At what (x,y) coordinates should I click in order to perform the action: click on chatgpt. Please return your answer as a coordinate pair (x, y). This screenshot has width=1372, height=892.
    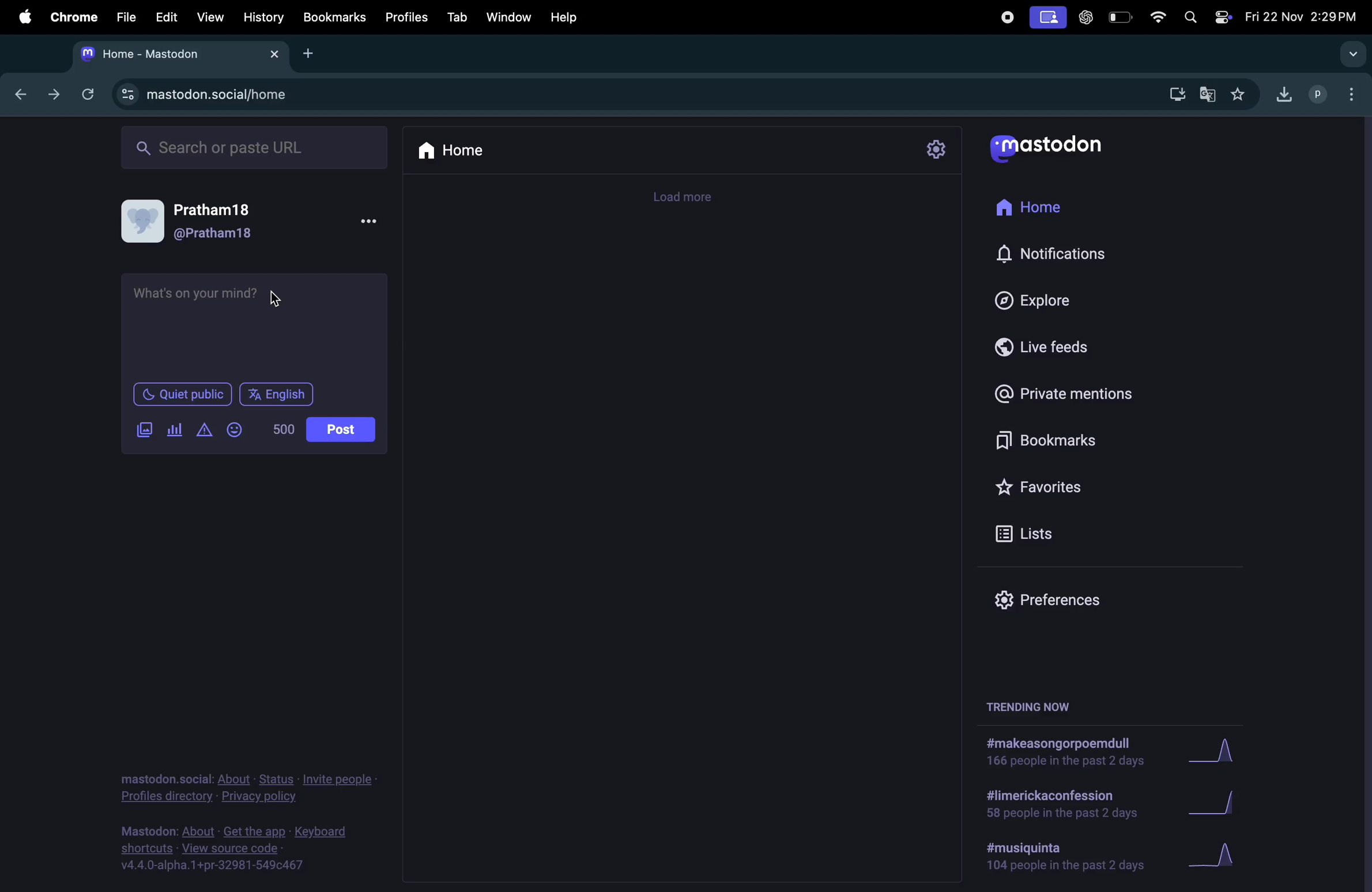
    Looking at the image, I should click on (1087, 18).